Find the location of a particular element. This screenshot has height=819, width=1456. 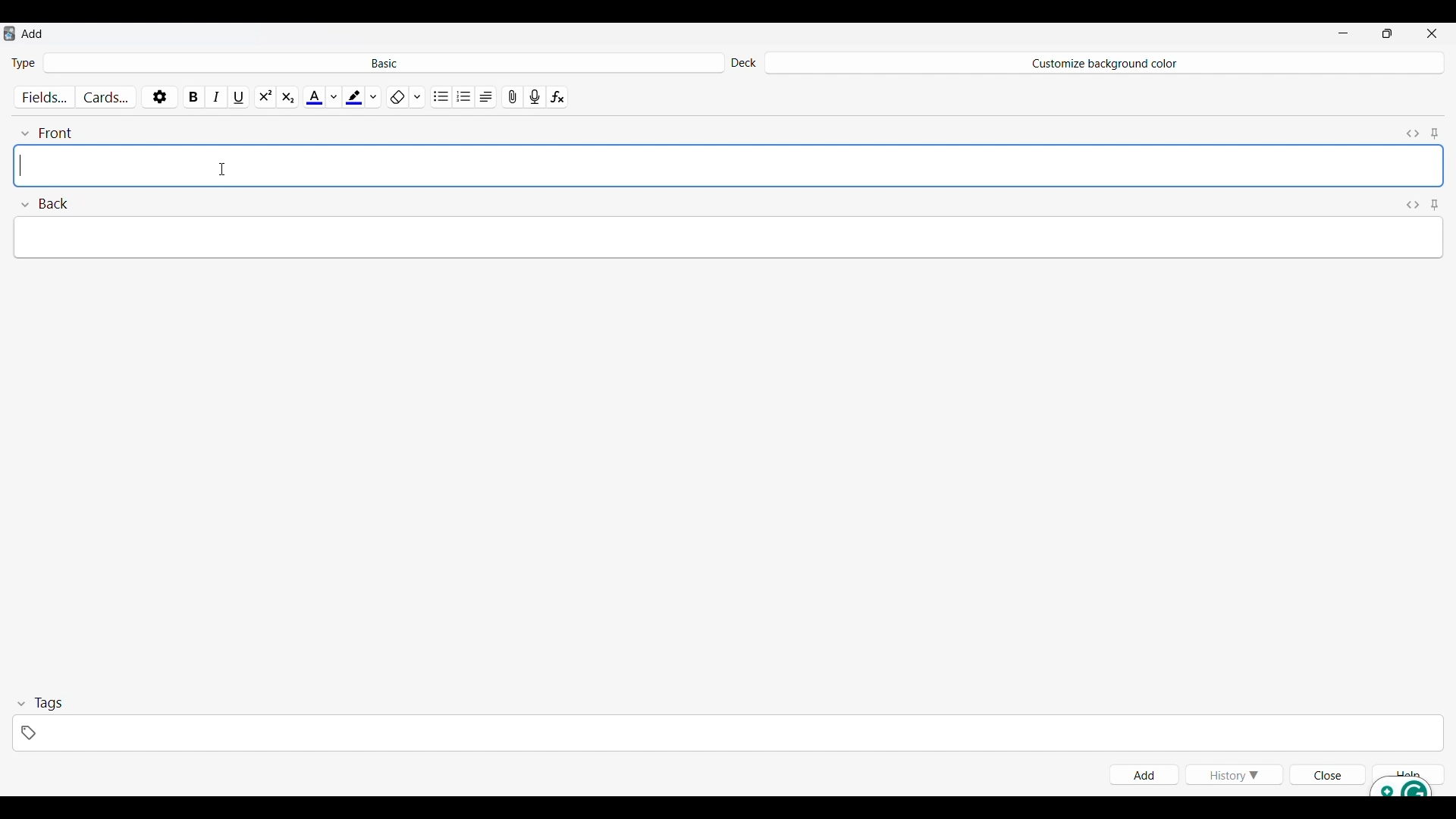

Selected text color is located at coordinates (313, 95).